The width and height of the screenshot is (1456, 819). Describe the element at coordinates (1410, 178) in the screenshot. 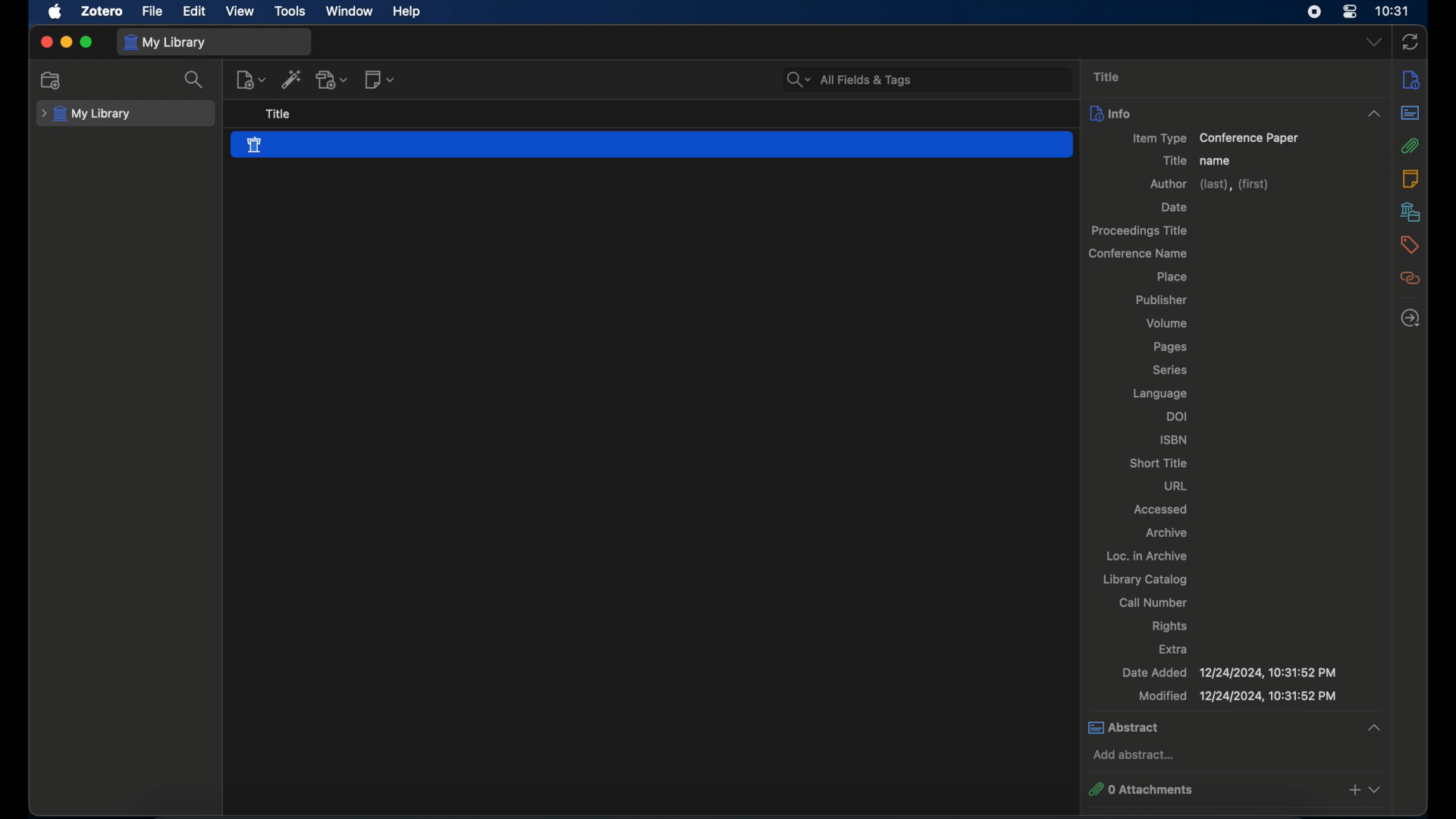

I see `notes` at that location.